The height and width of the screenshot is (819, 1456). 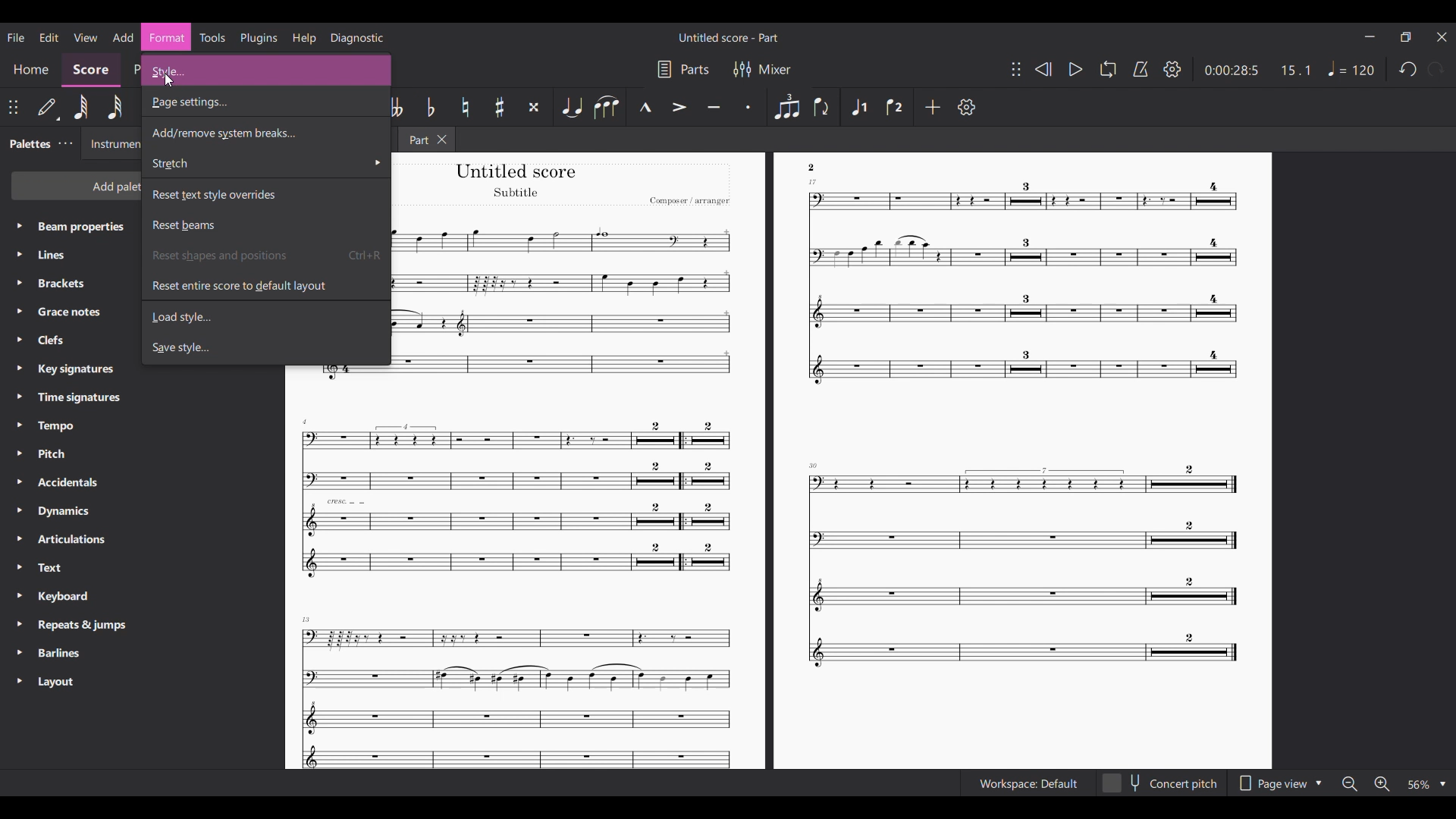 What do you see at coordinates (693, 198) in the screenshot?
I see `` at bounding box center [693, 198].